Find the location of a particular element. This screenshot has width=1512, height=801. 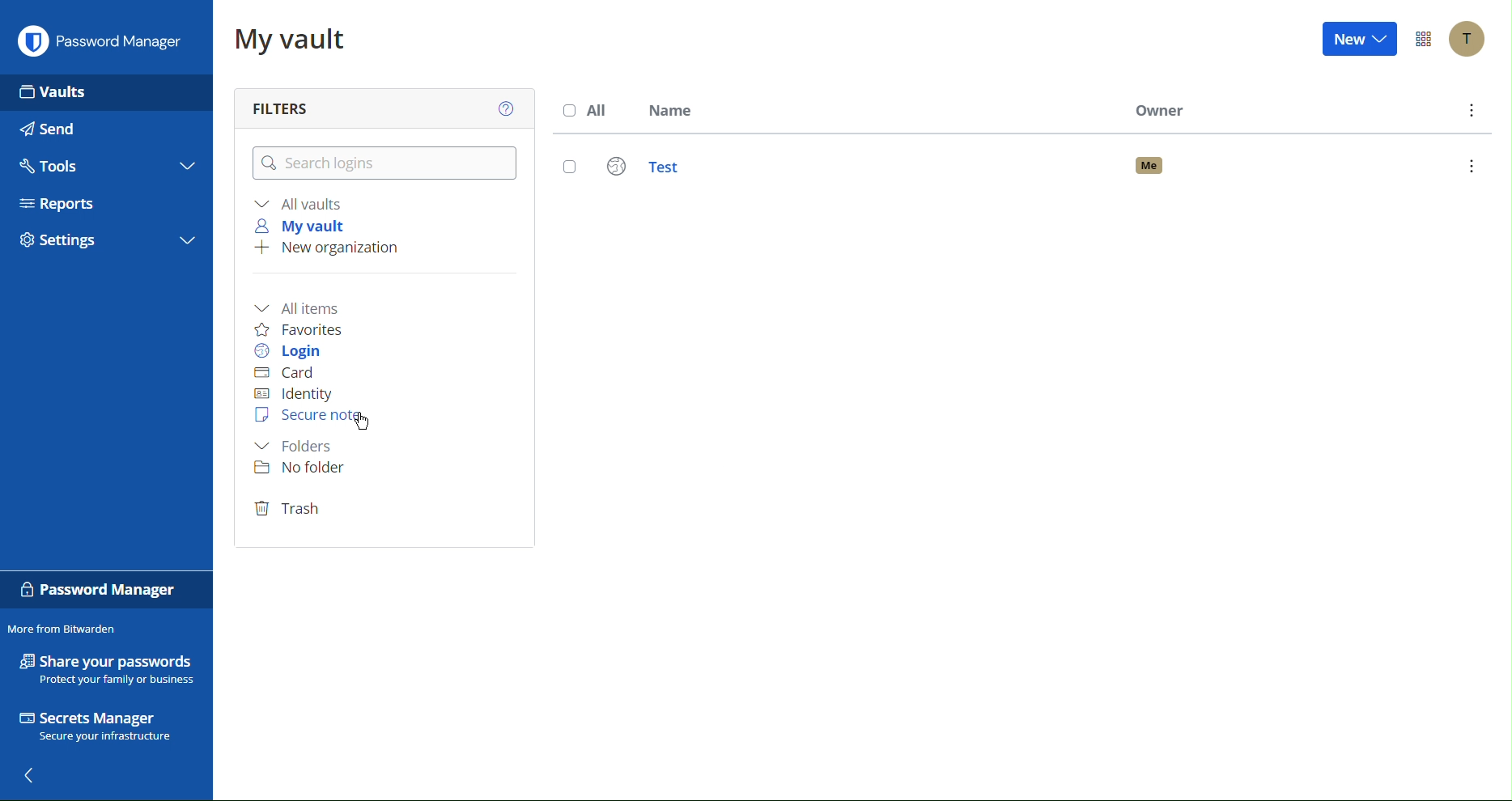

Settings is located at coordinates (65, 239).